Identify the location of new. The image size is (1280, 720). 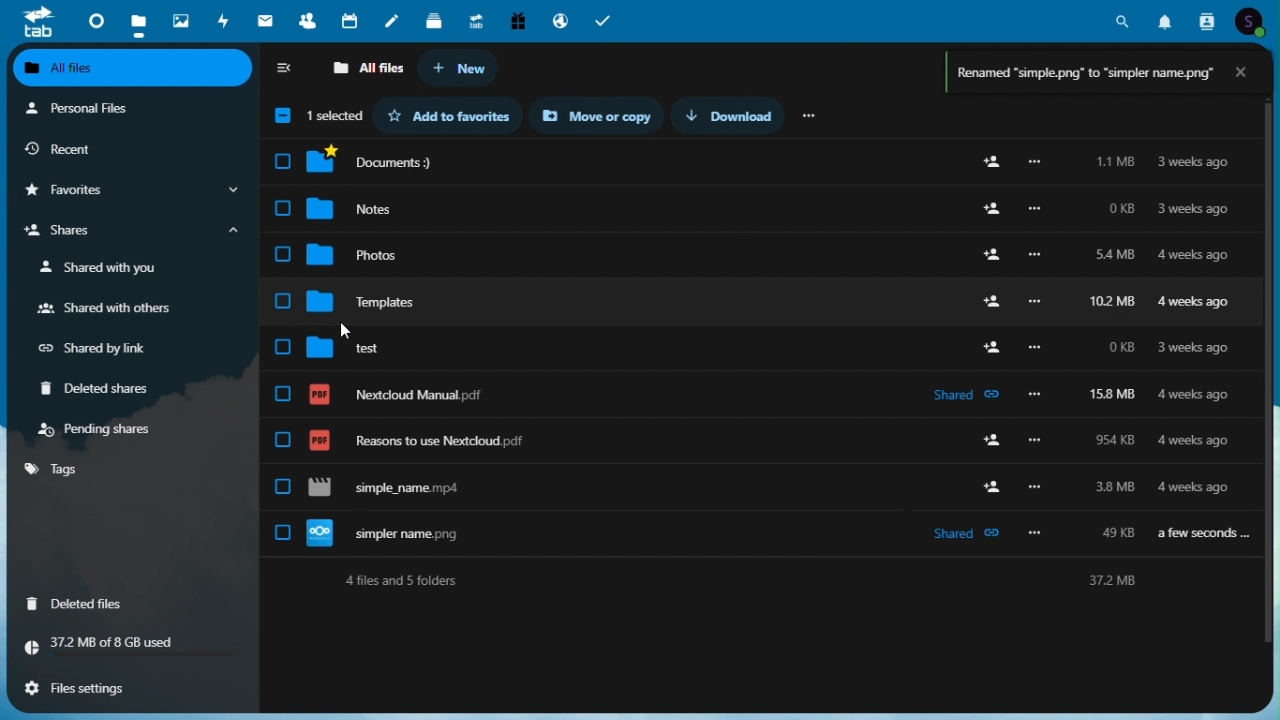
(459, 69).